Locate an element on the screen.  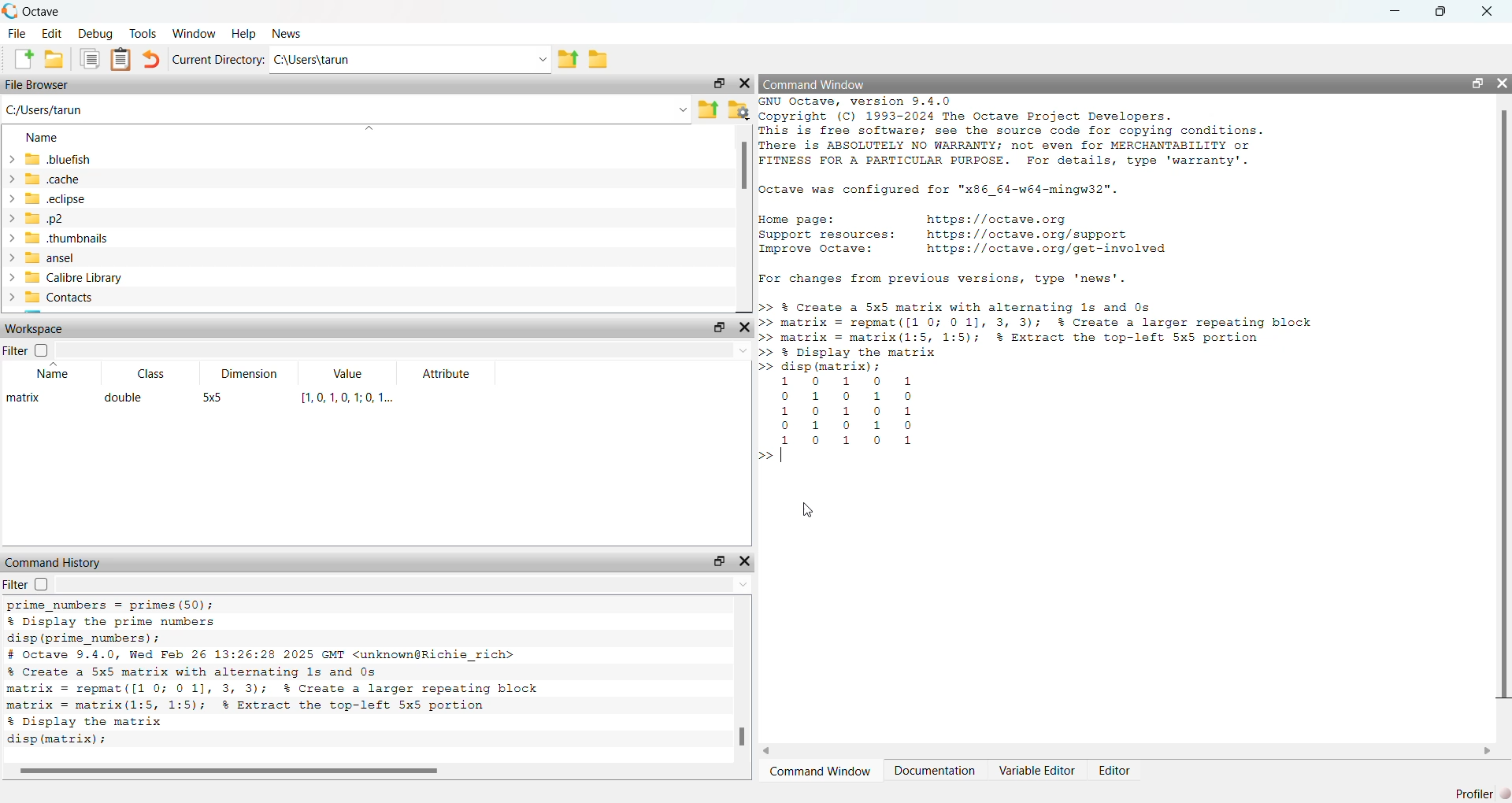
folder settings is located at coordinates (739, 111).